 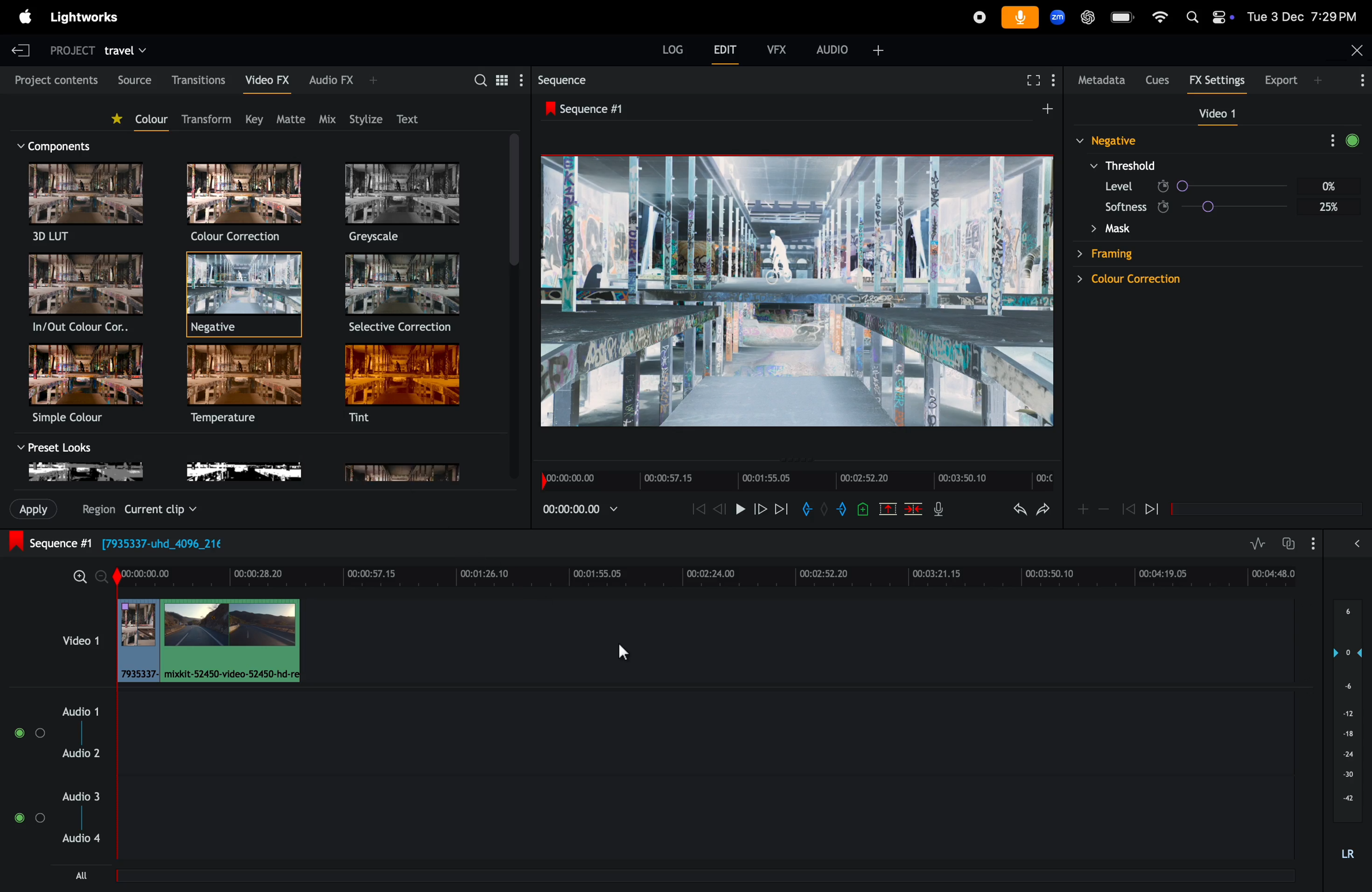 What do you see at coordinates (80, 577) in the screenshot?
I see `zoom out` at bounding box center [80, 577].